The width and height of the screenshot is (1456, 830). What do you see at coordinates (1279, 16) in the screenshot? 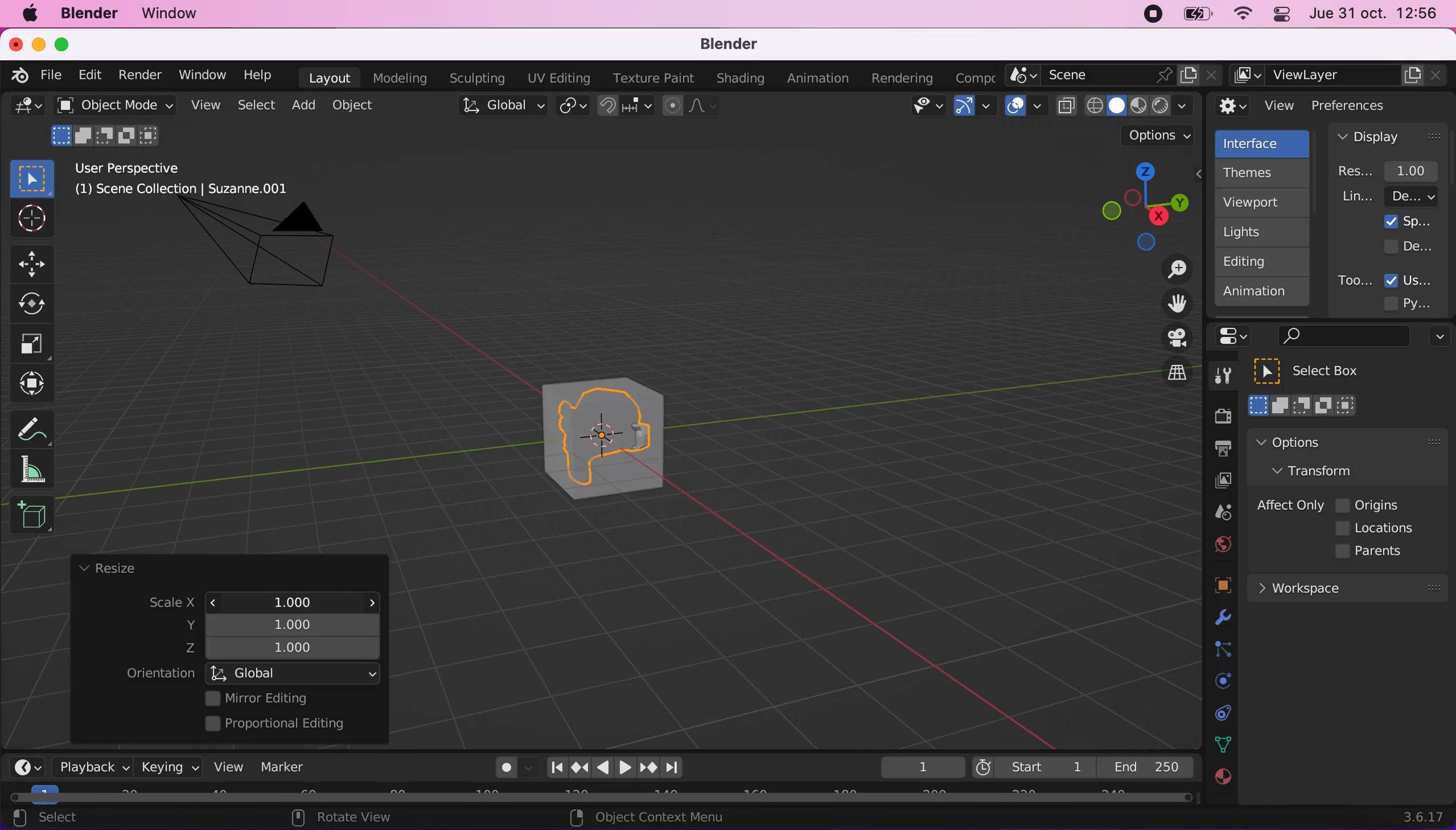
I see `panel control` at bounding box center [1279, 16].